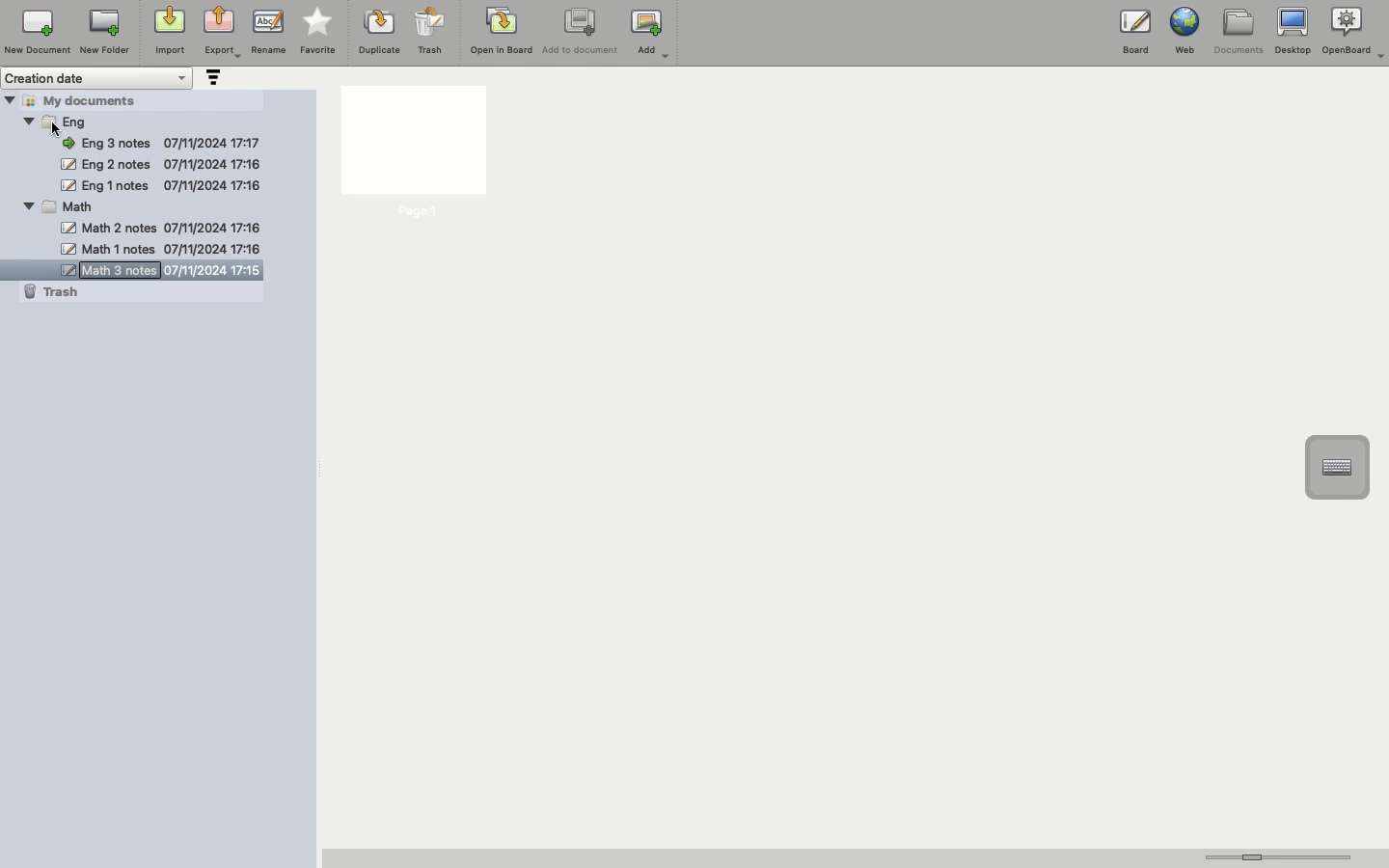  What do you see at coordinates (10, 99) in the screenshot?
I see `Hide` at bounding box center [10, 99].